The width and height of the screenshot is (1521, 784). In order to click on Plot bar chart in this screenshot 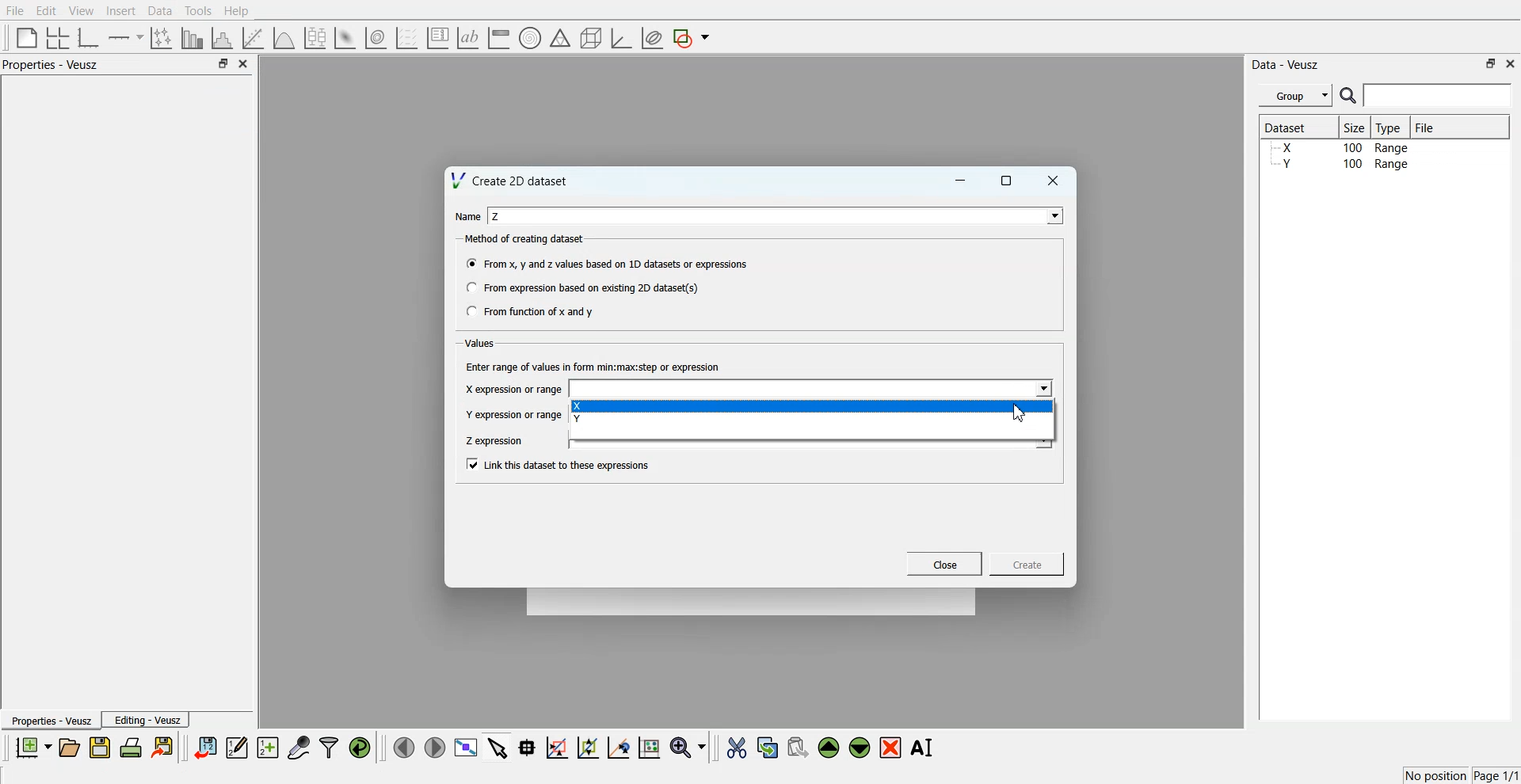, I will do `click(192, 38)`.